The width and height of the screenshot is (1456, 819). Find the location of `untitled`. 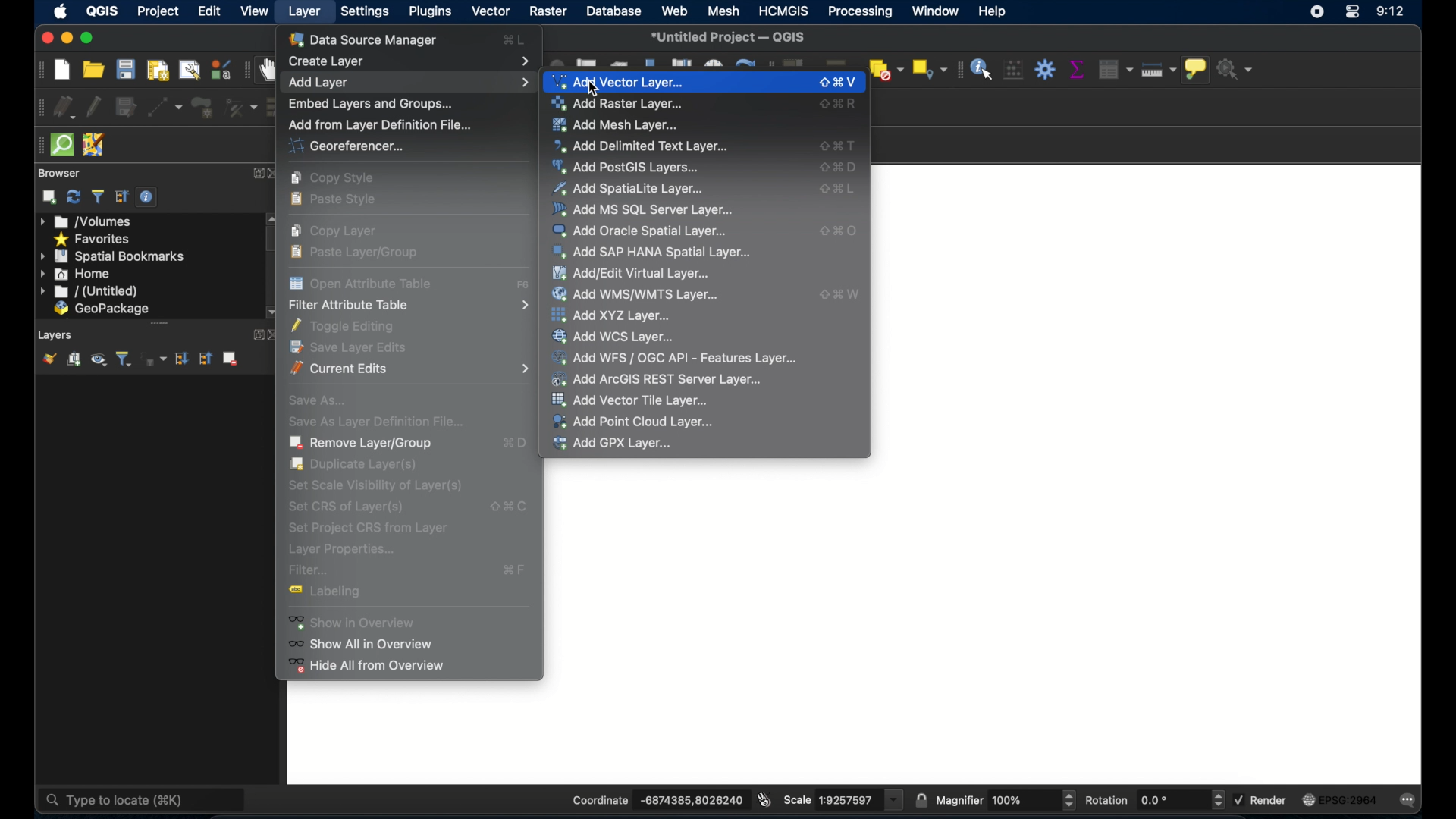

untitled is located at coordinates (89, 292).